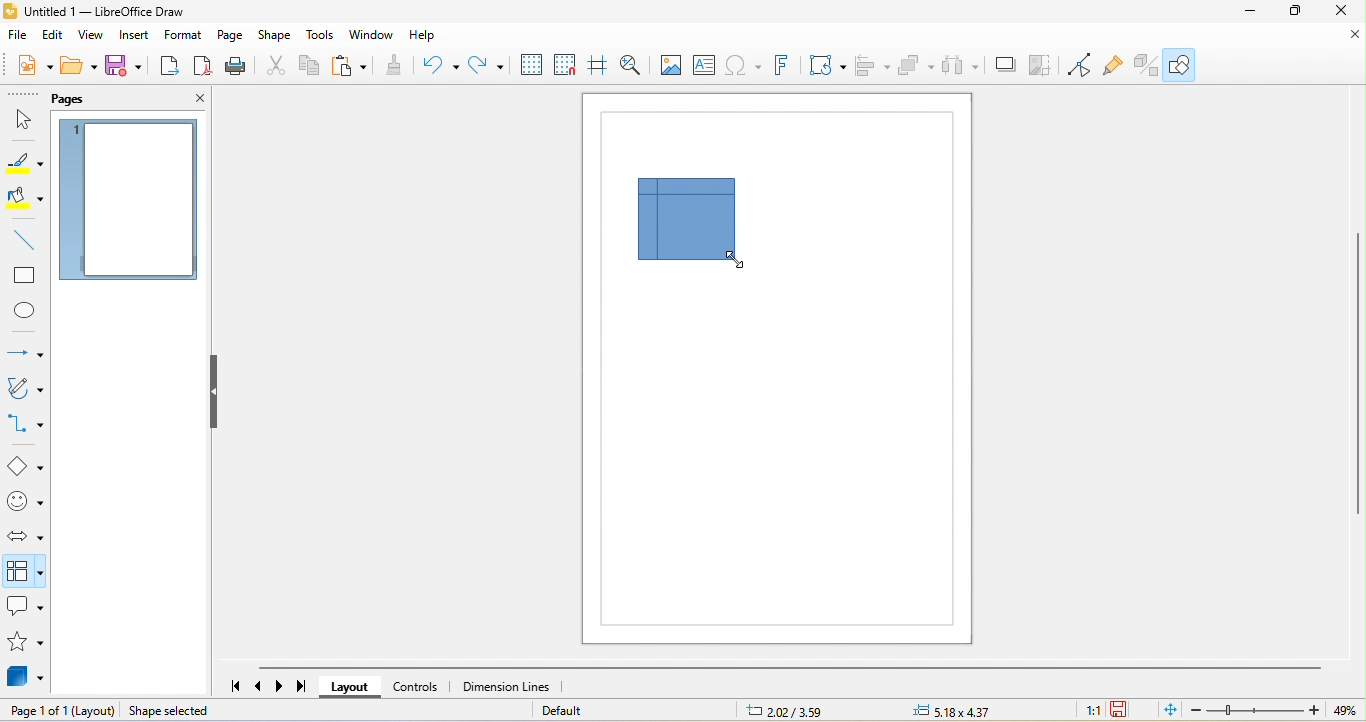  I want to click on star and banners, so click(27, 644).